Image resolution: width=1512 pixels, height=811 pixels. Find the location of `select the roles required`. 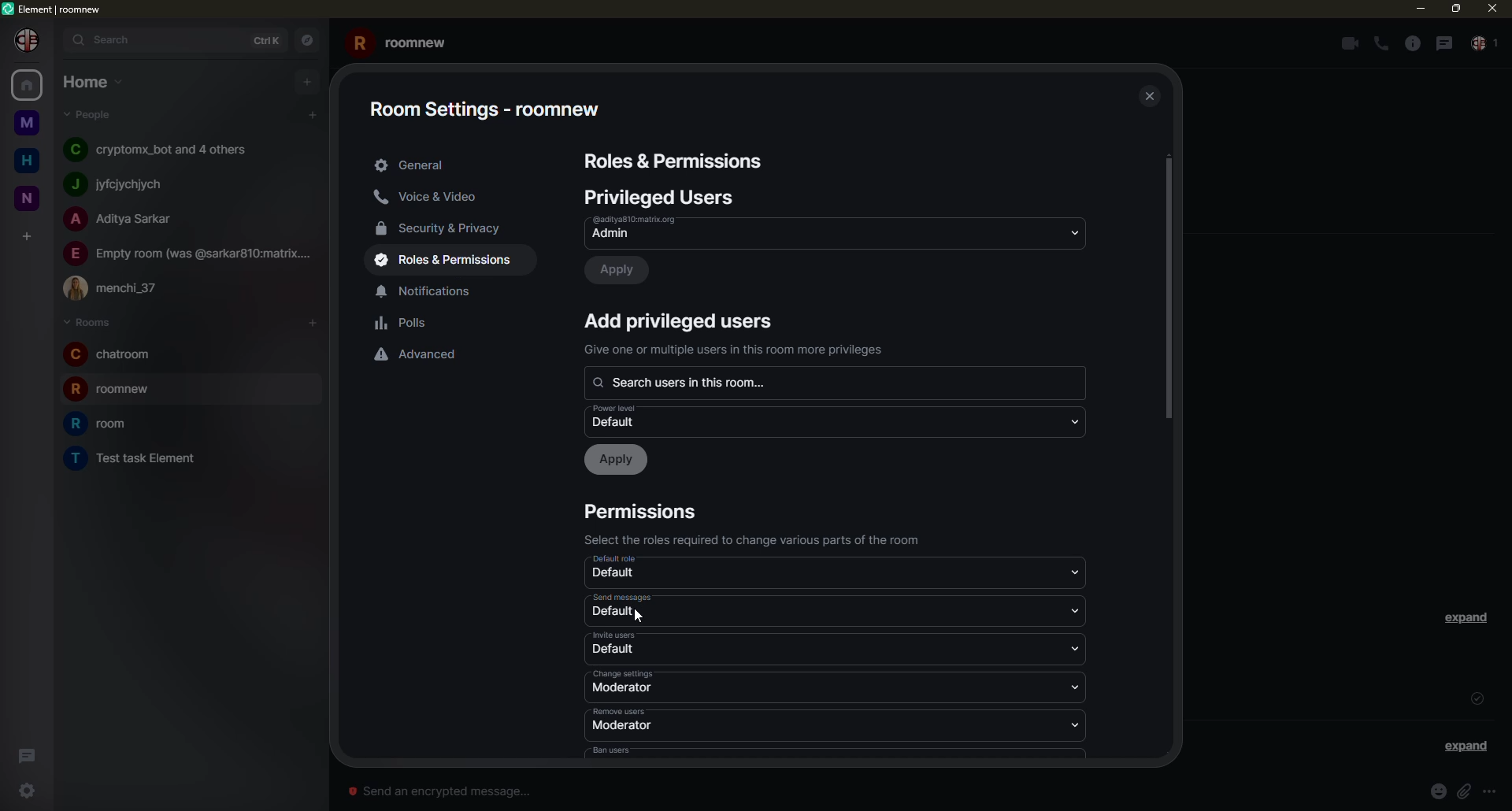

select the roles required is located at coordinates (760, 539).